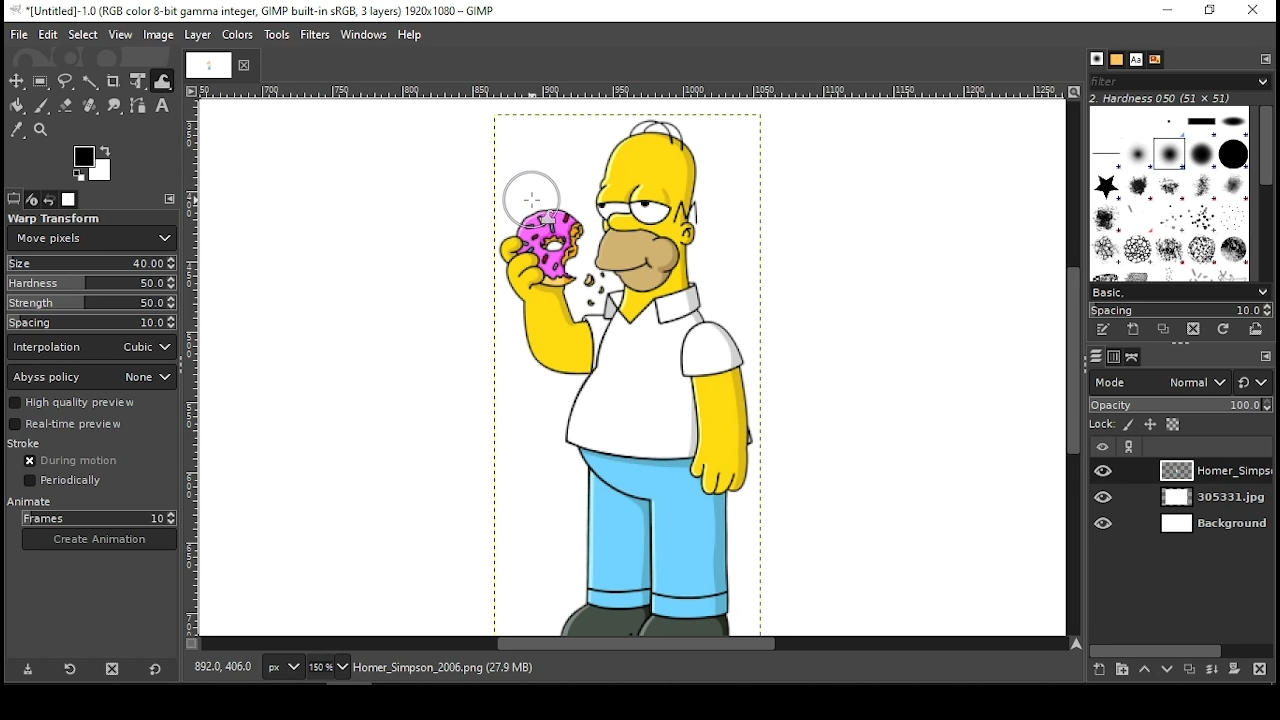  Describe the element at coordinates (1168, 11) in the screenshot. I see `minimize` at that location.